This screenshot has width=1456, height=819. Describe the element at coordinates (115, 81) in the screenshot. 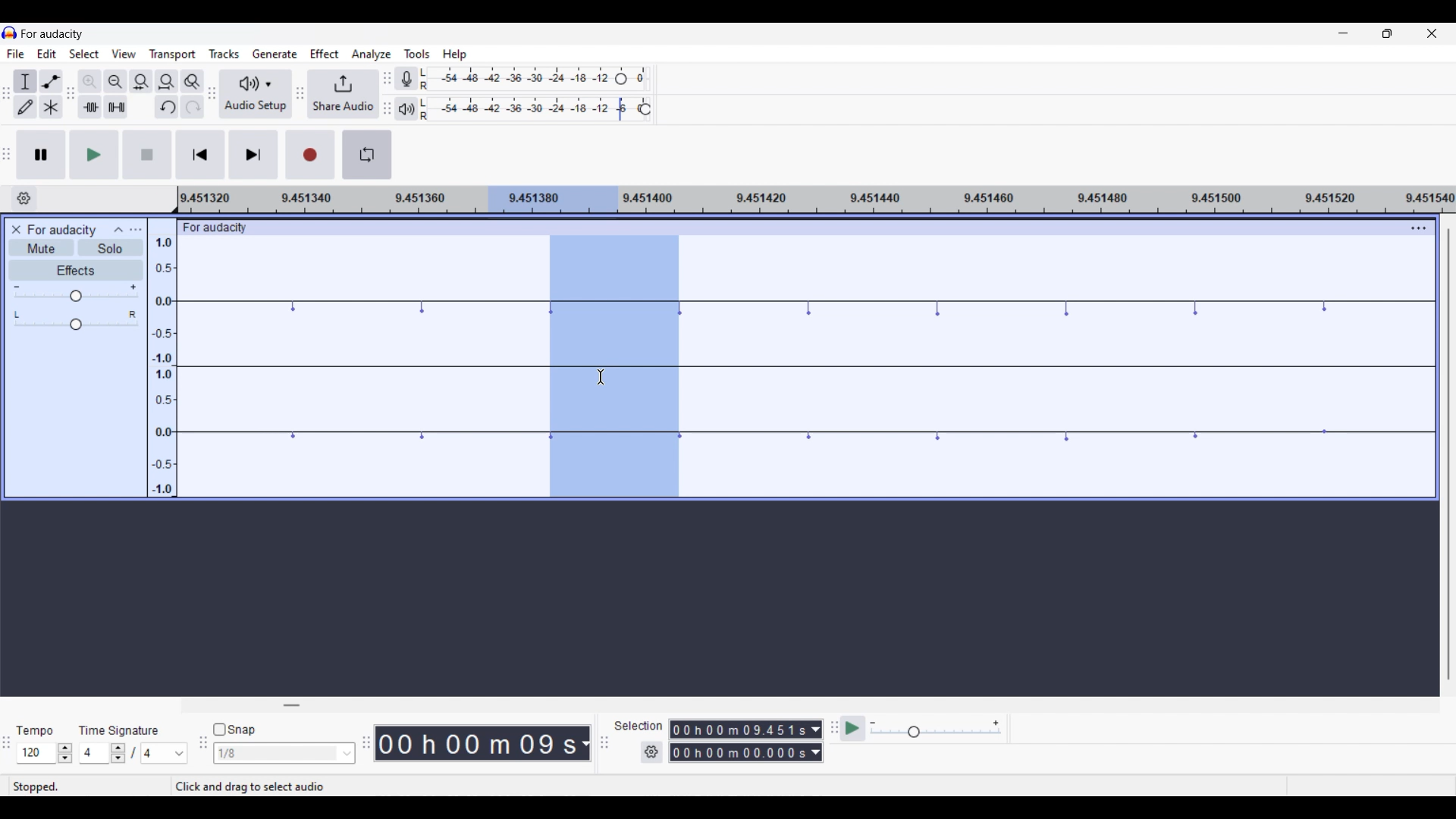

I see `Zoom out` at that location.